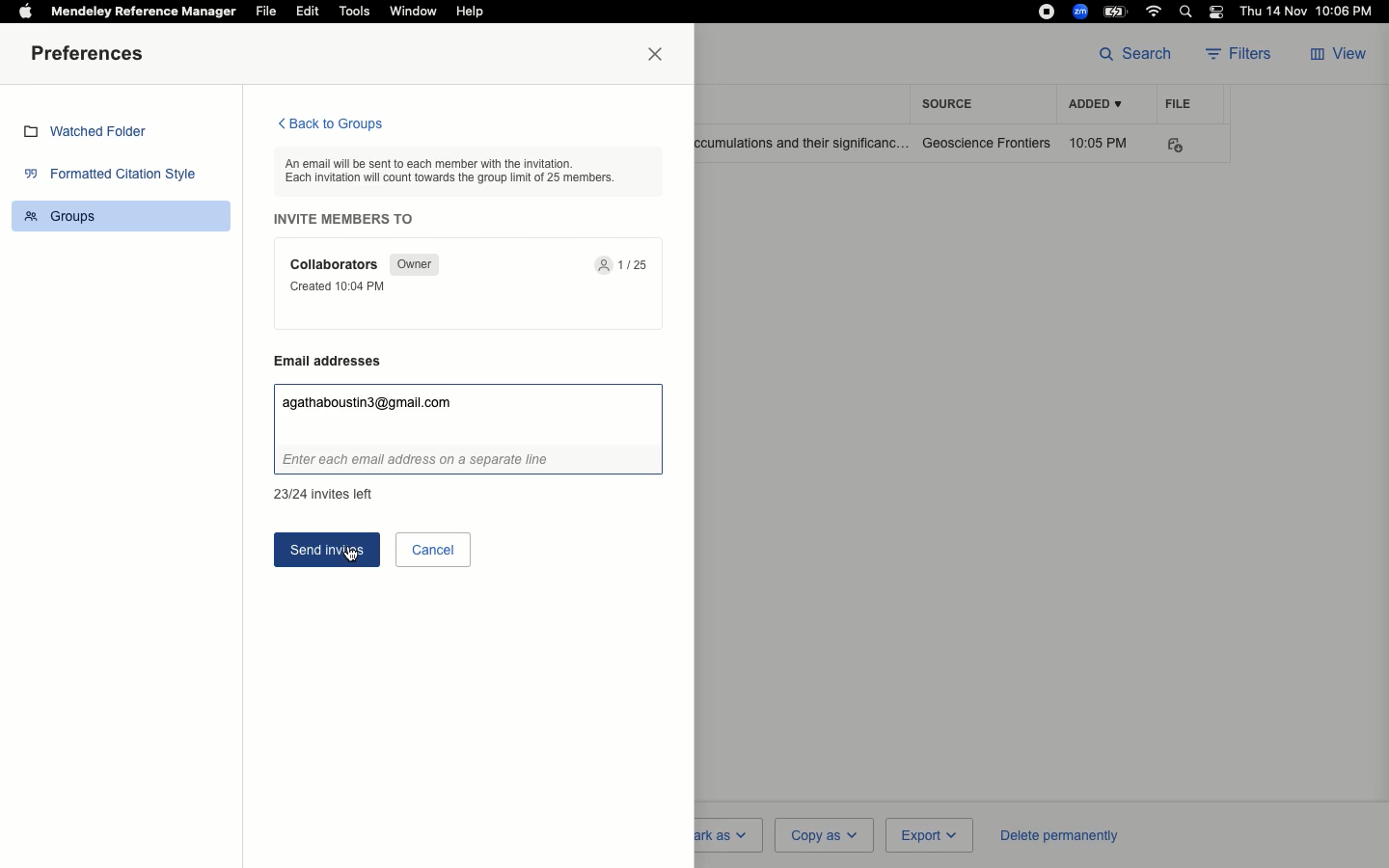  I want to click on File, so click(266, 12).